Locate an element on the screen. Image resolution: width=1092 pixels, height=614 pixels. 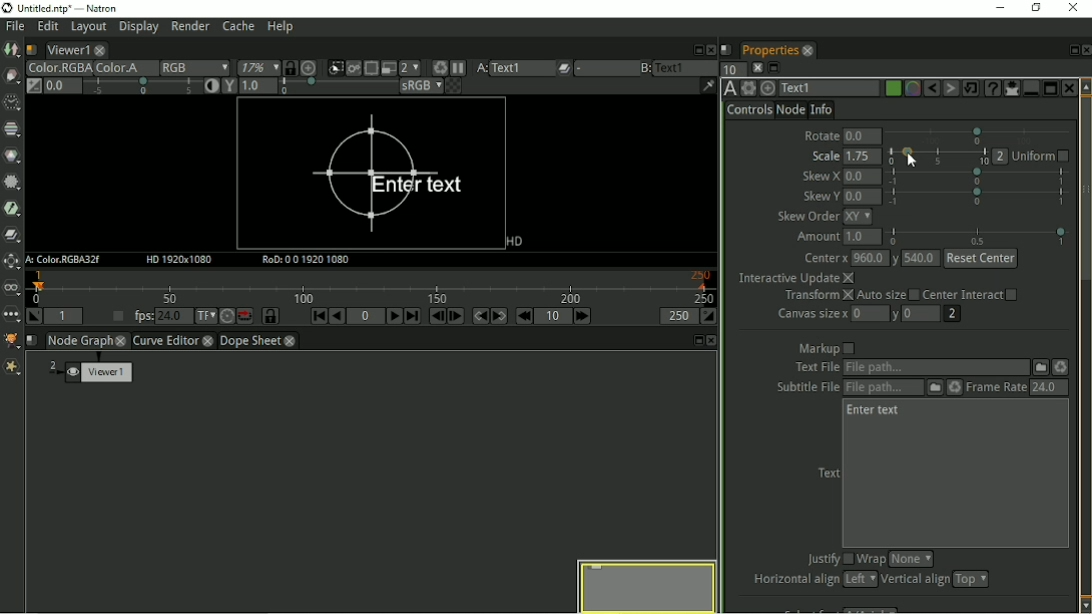
Current frame is located at coordinates (366, 316).